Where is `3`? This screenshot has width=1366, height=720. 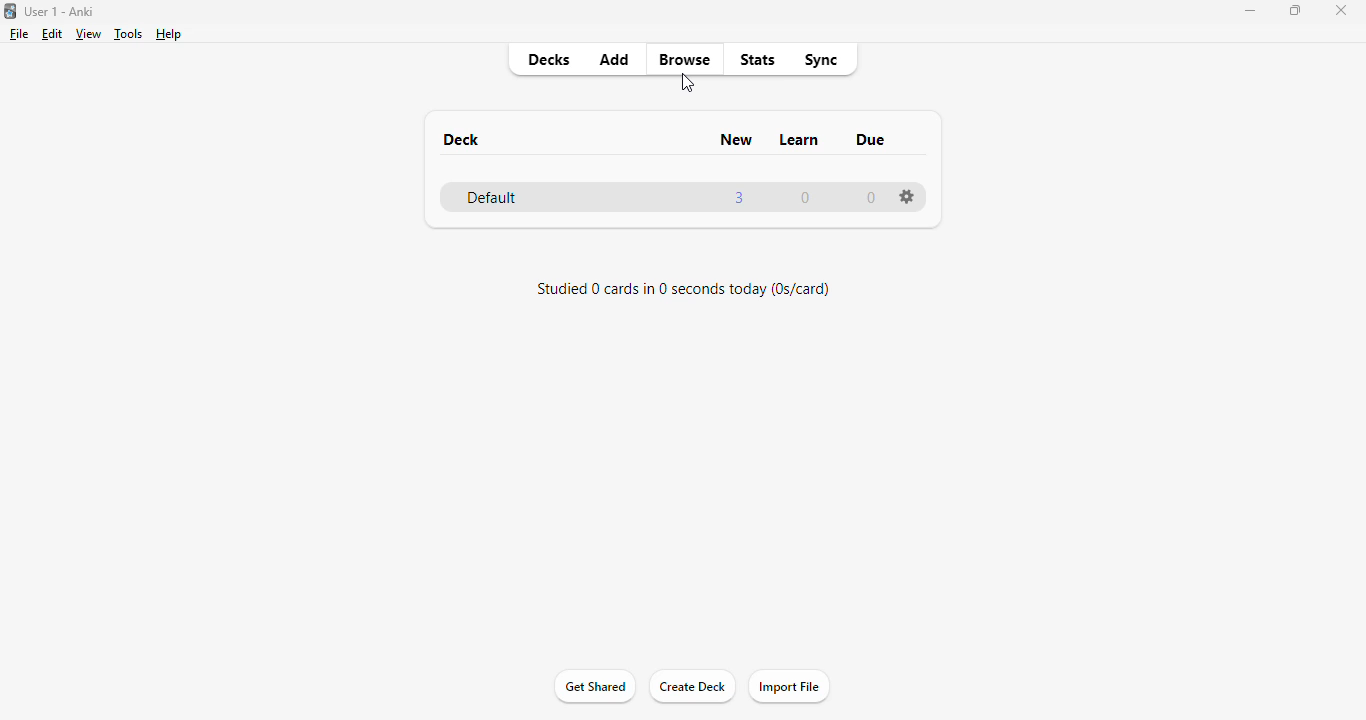 3 is located at coordinates (739, 197).